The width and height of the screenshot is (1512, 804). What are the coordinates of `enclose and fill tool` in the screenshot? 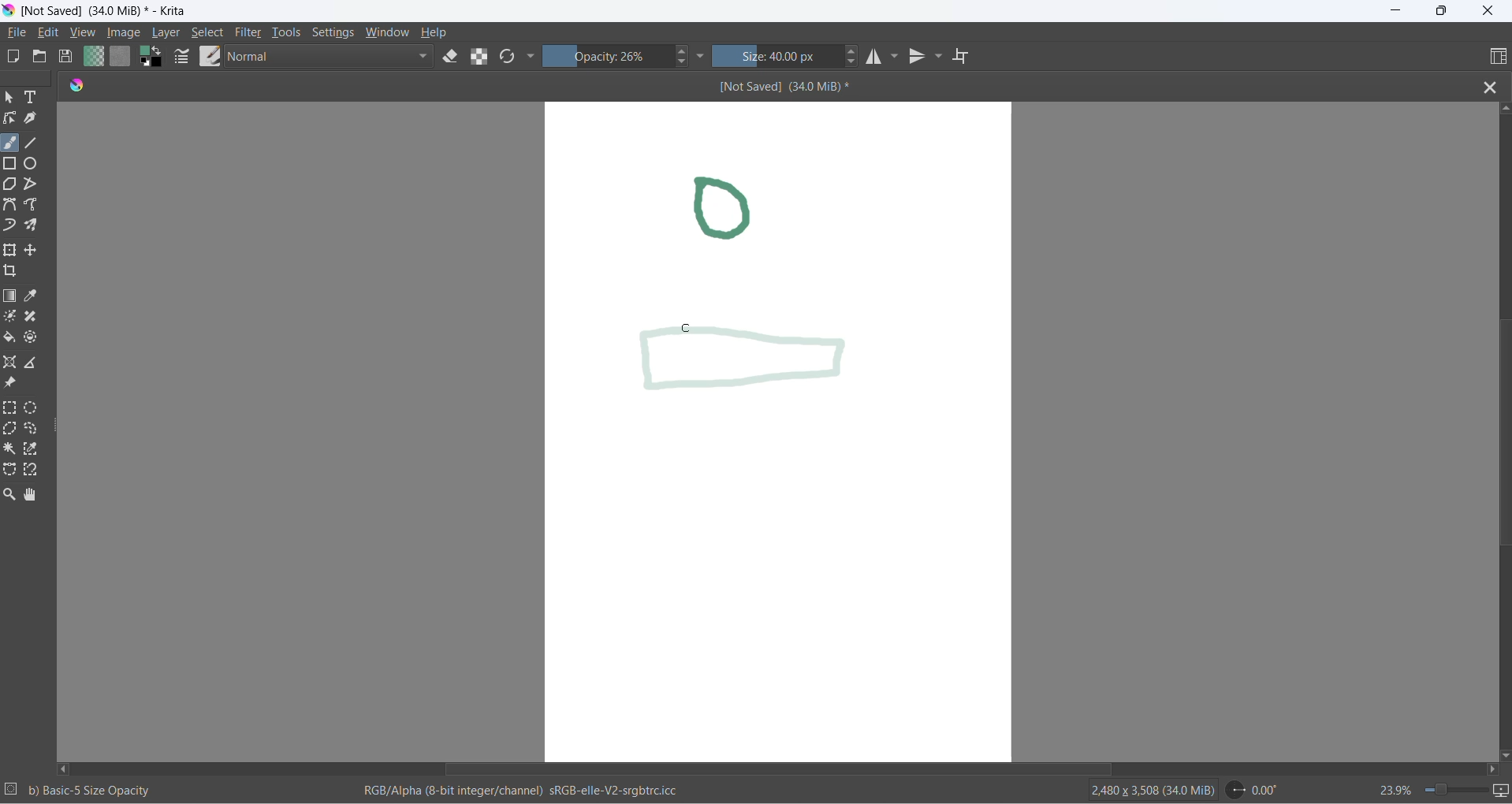 It's located at (35, 336).